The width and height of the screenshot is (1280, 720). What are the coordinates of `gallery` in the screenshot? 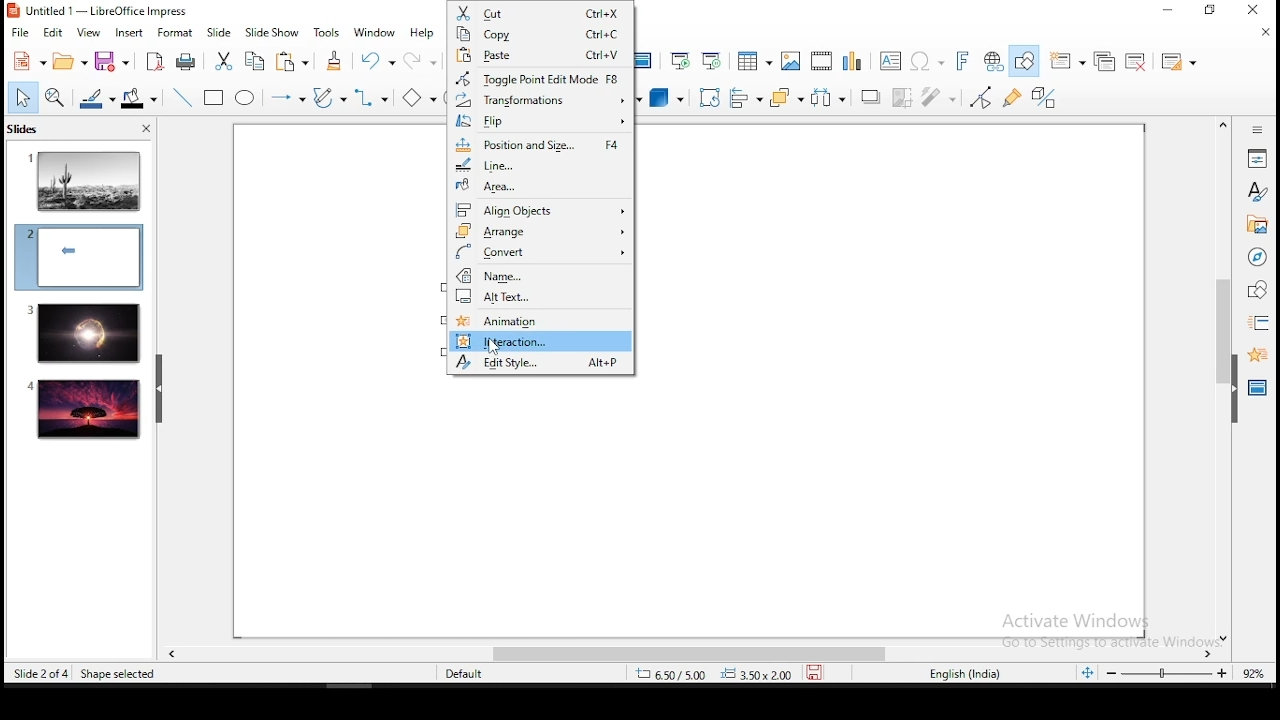 It's located at (1257, 227).